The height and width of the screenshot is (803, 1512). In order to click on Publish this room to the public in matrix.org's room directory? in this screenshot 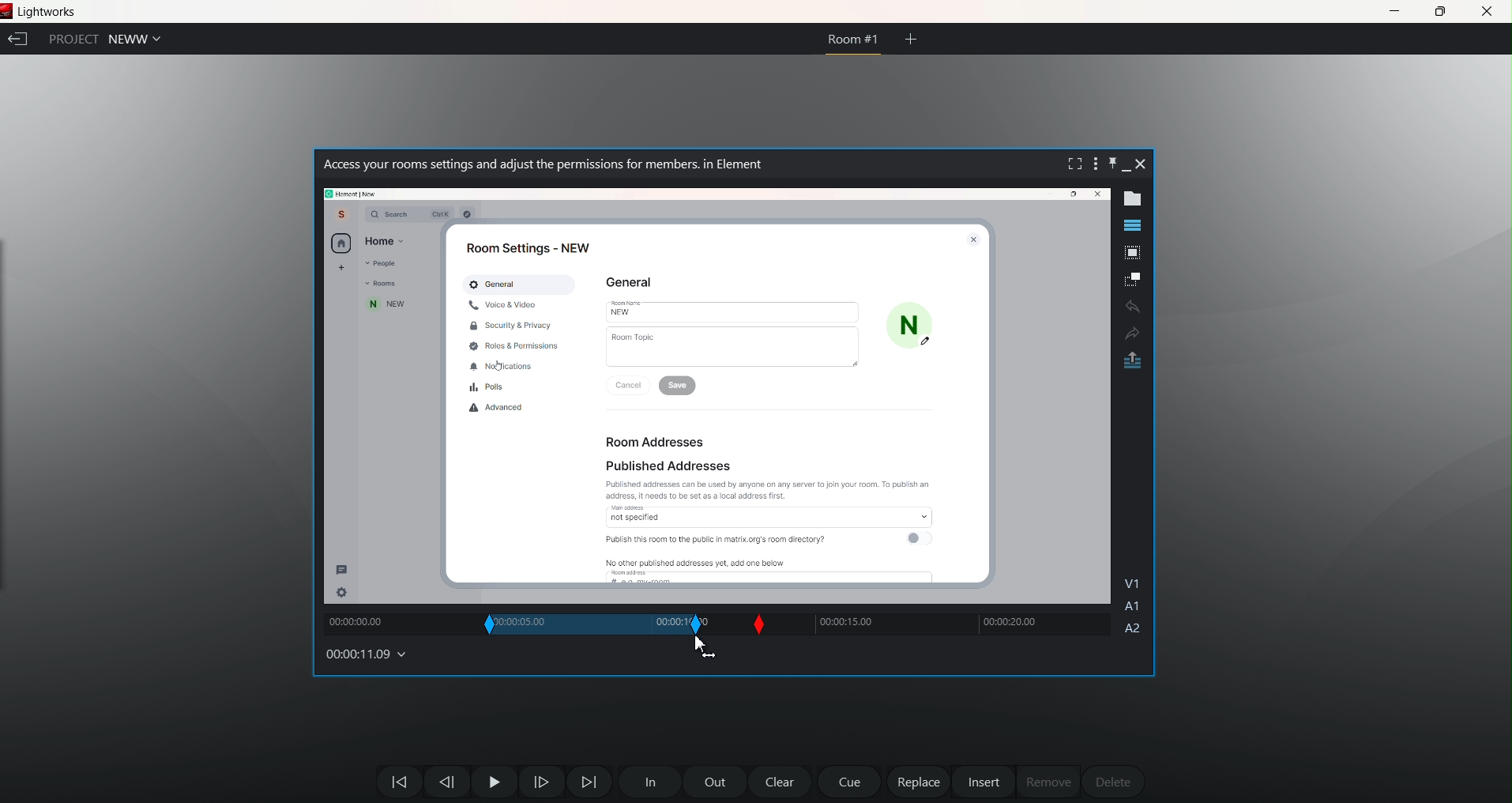, I will do `click(715, 538)`.